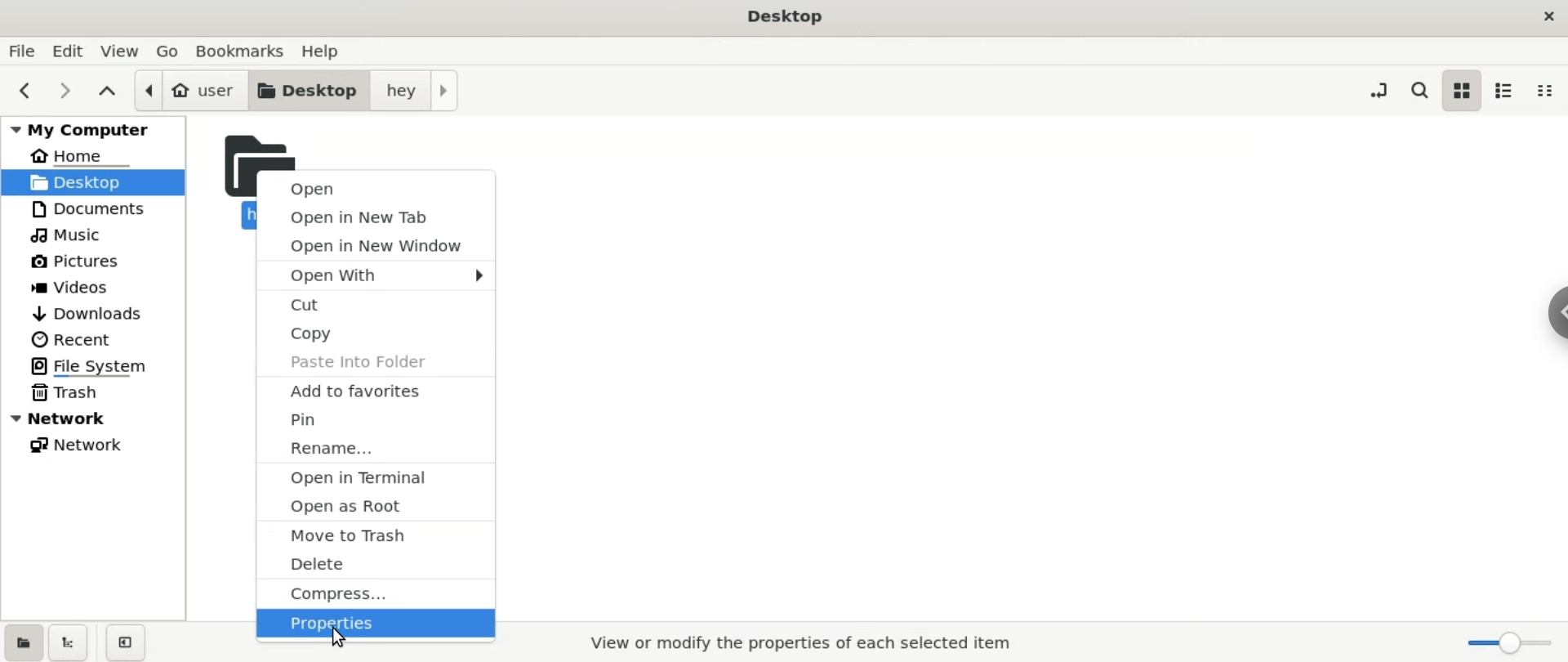 The width and height of the screenshot is (1568, 662). I want to click on add to favourites, so click(377, 389).